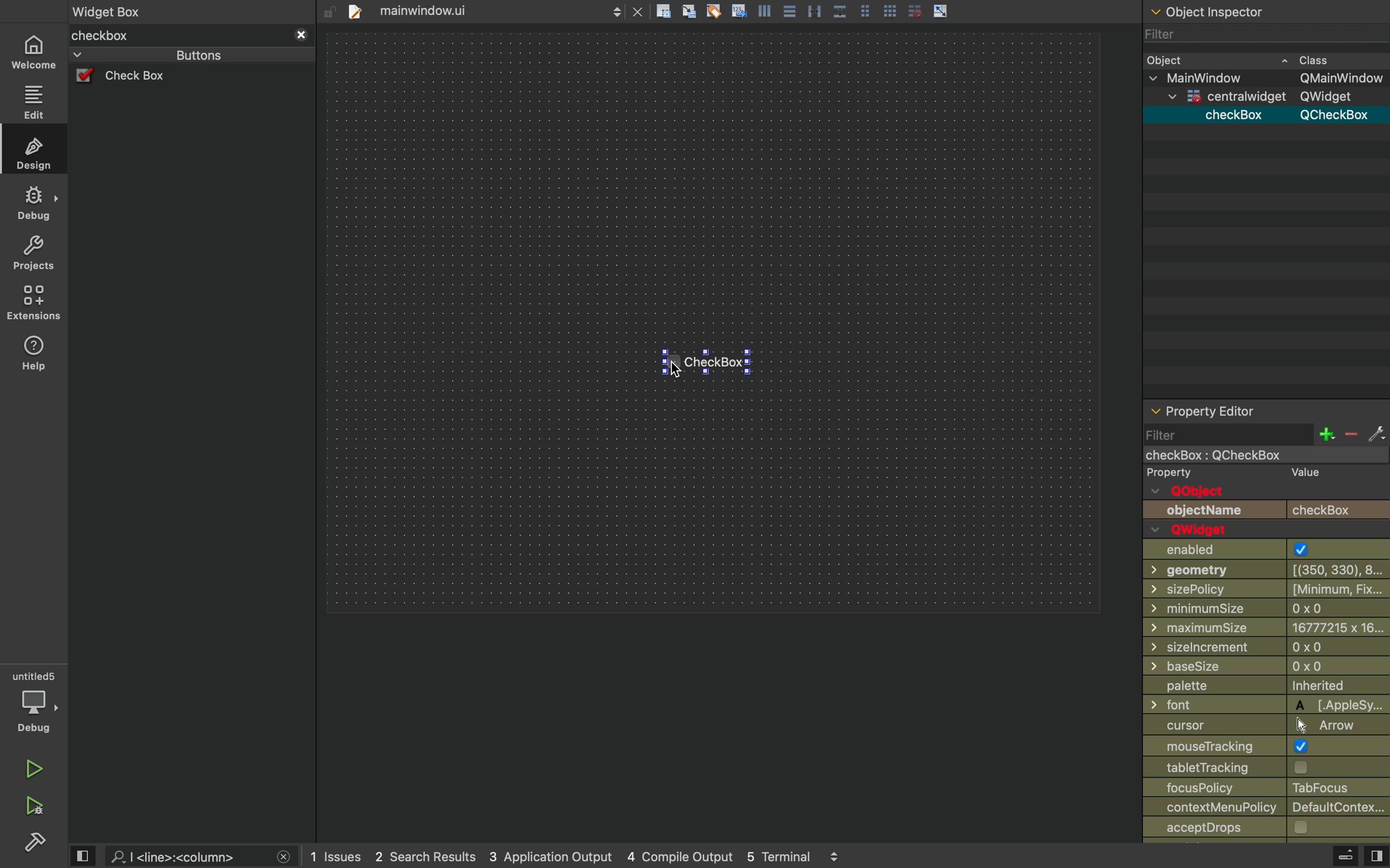 This screenshot has height=868, width=1390. What do you see at coordinates (32, 808) in the screenshot?
I see `run and debug` at bounding box center [32, 808].